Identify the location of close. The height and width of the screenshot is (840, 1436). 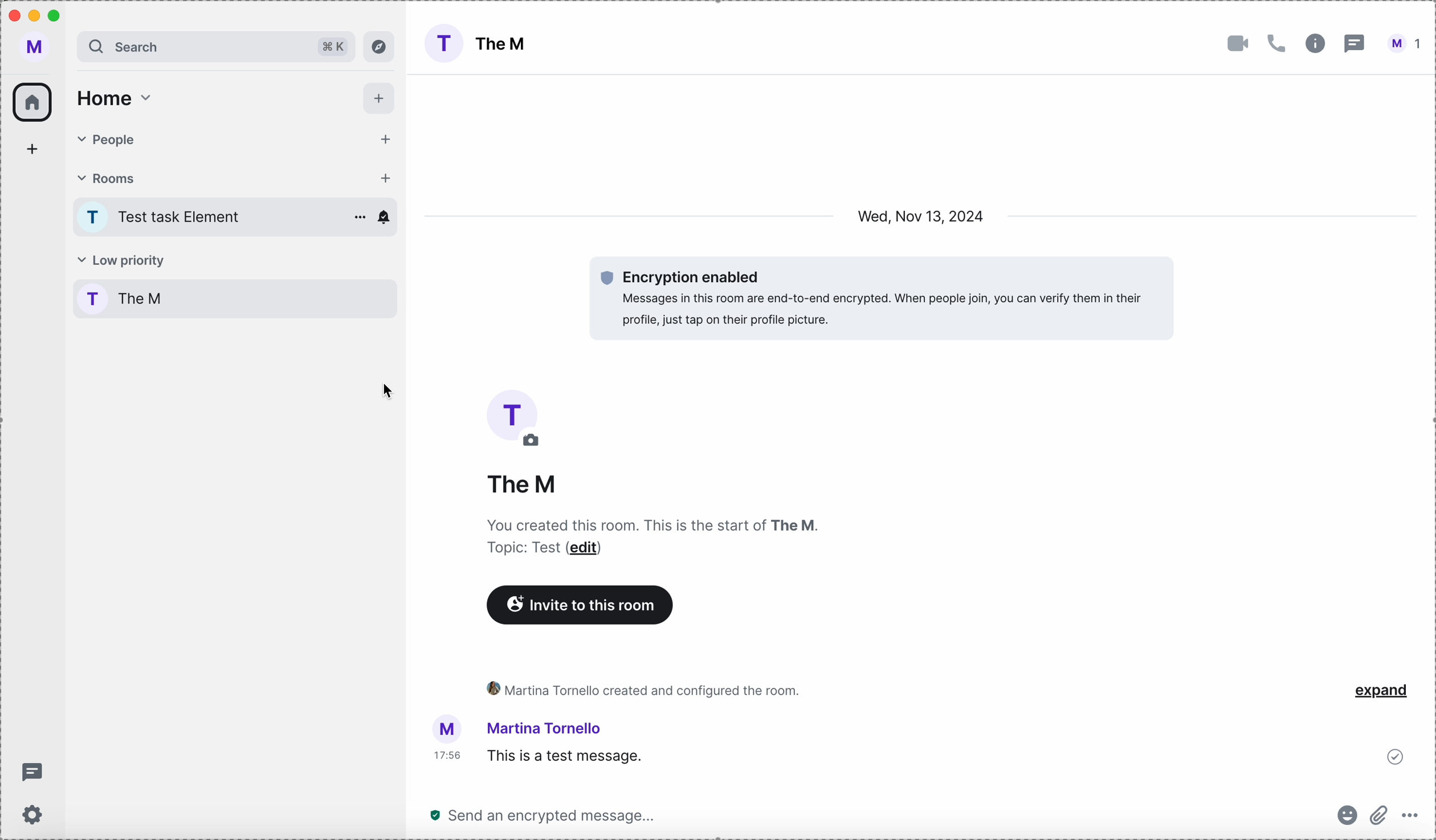
(13, 17).